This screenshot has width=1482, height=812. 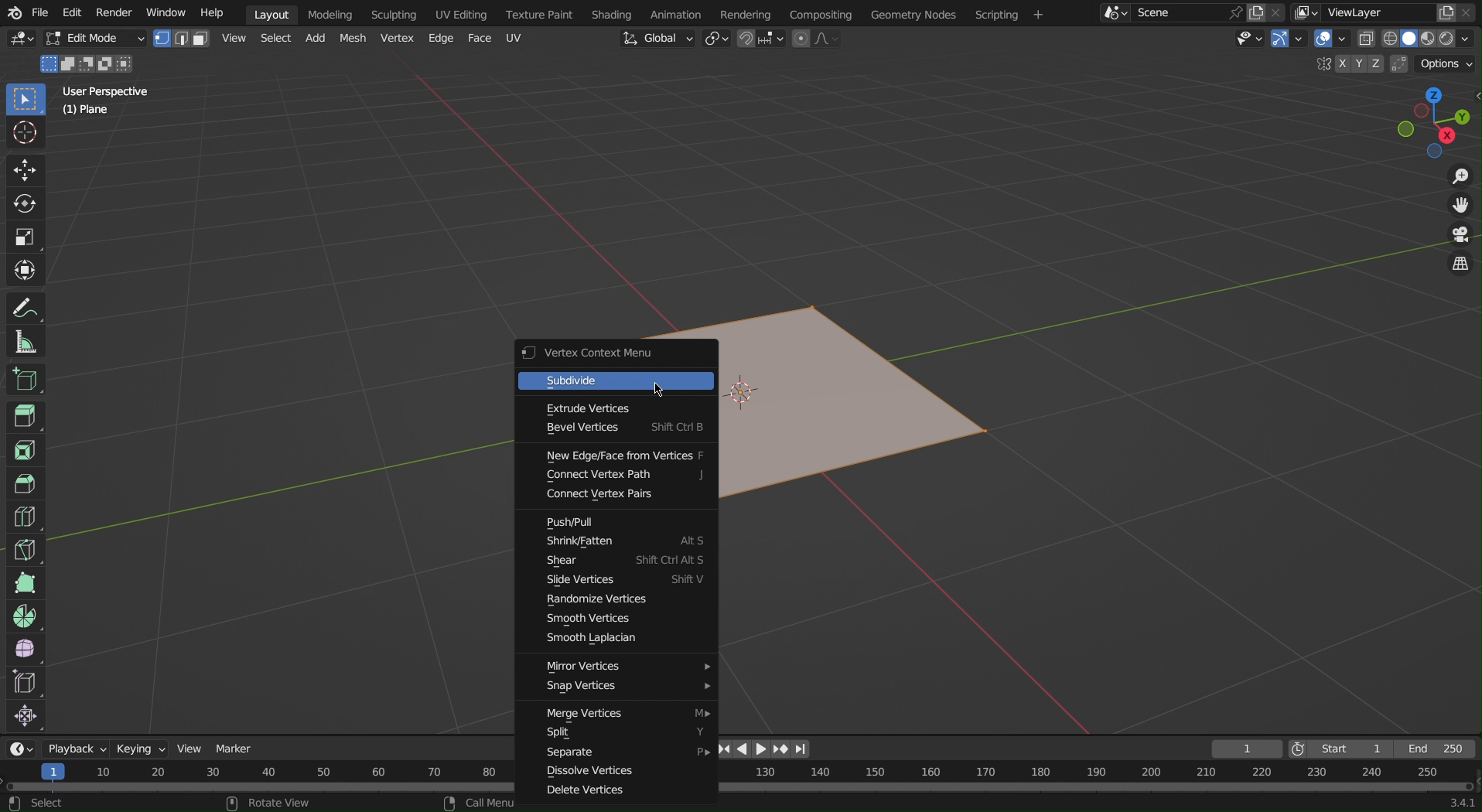 What do you see at coordinates (1320, 65) in the screenshot?
I see `Mirror` at bounding box center [1320, 65].